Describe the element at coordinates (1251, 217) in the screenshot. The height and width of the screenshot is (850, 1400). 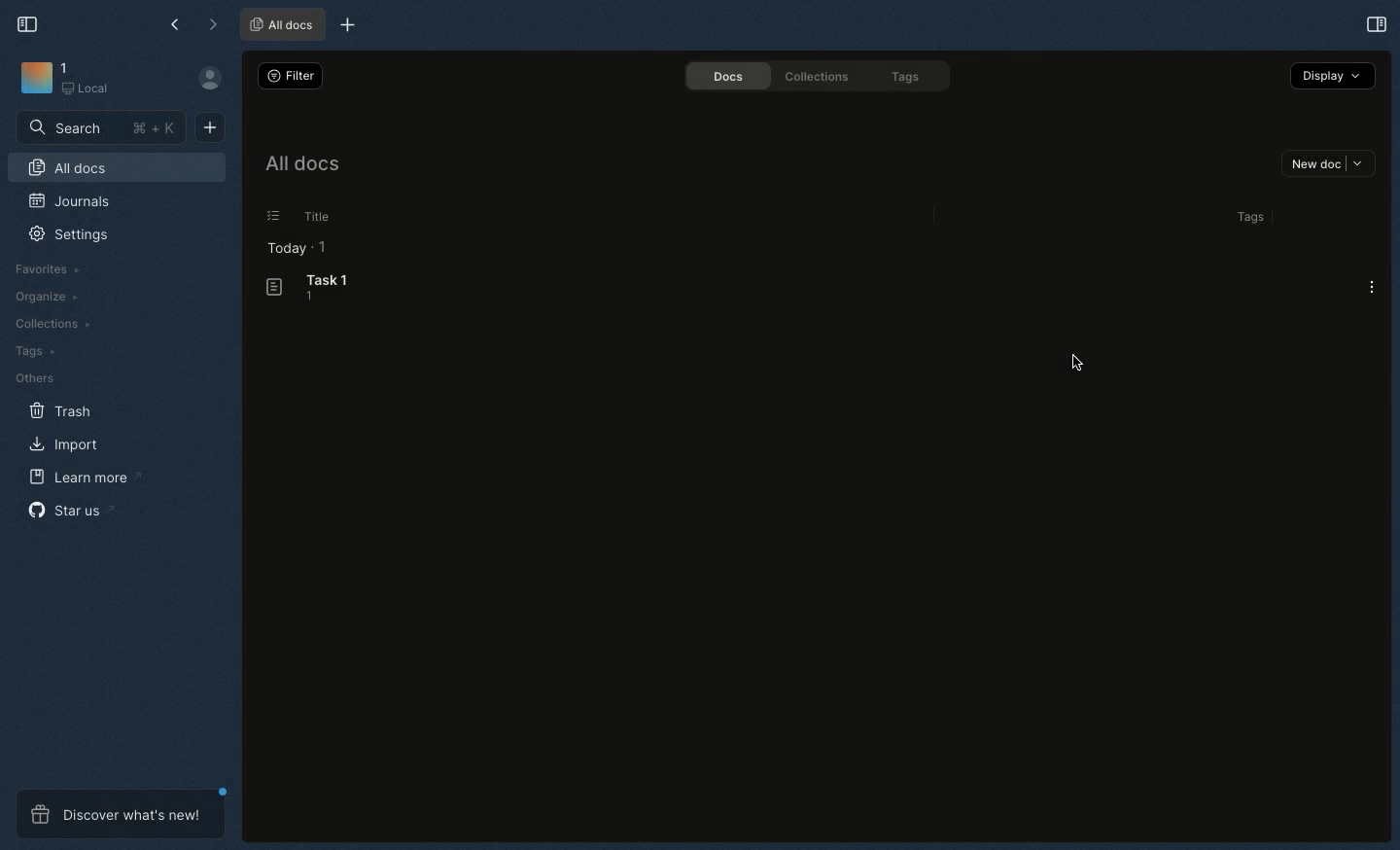
I see `0 tags` at that location.